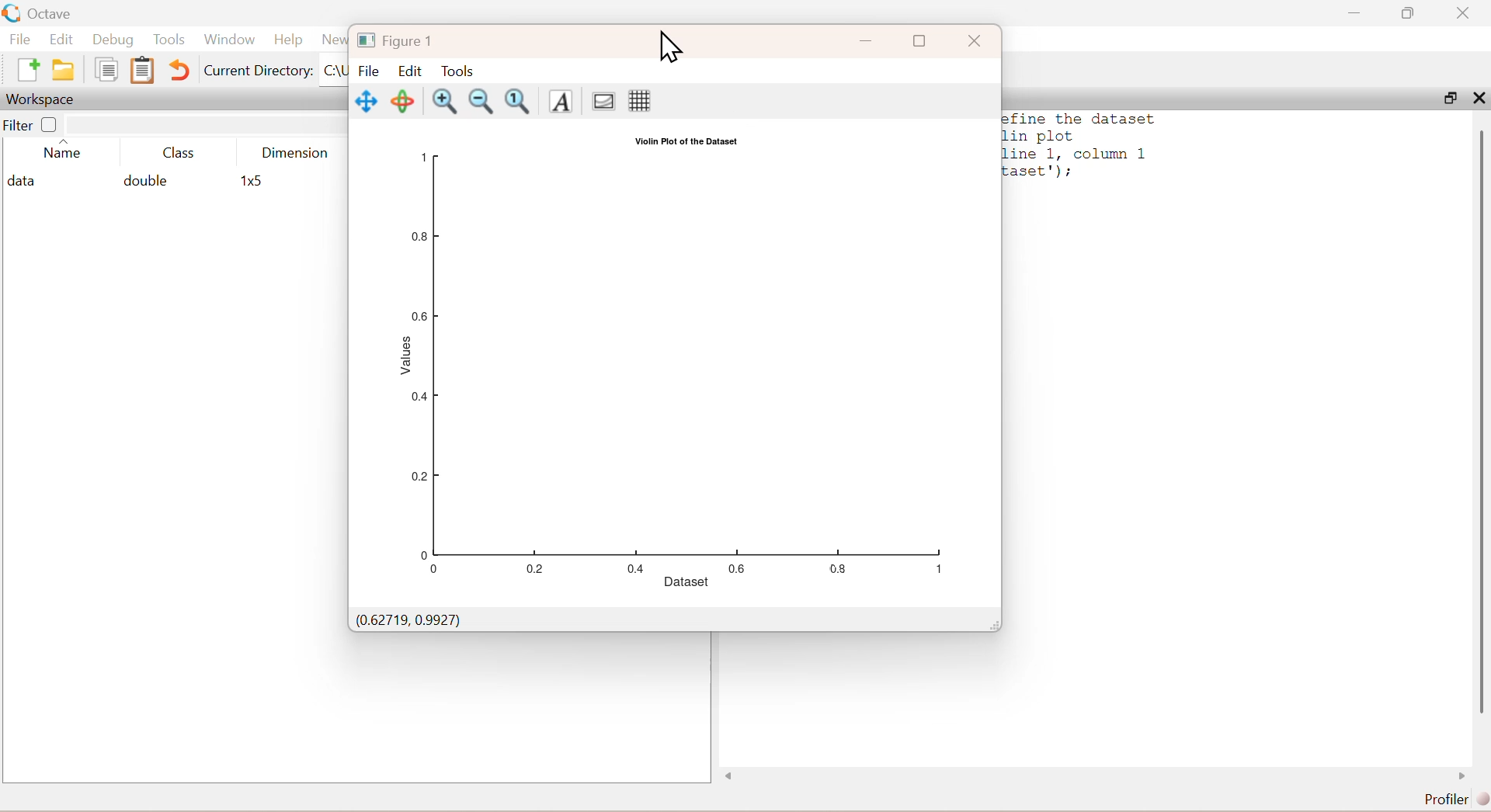 This screenshot has height=812, width=1491. What do you see at coordinates (113, 40) in the screenshot?
I see `debug` at bounding box center [113, 40].